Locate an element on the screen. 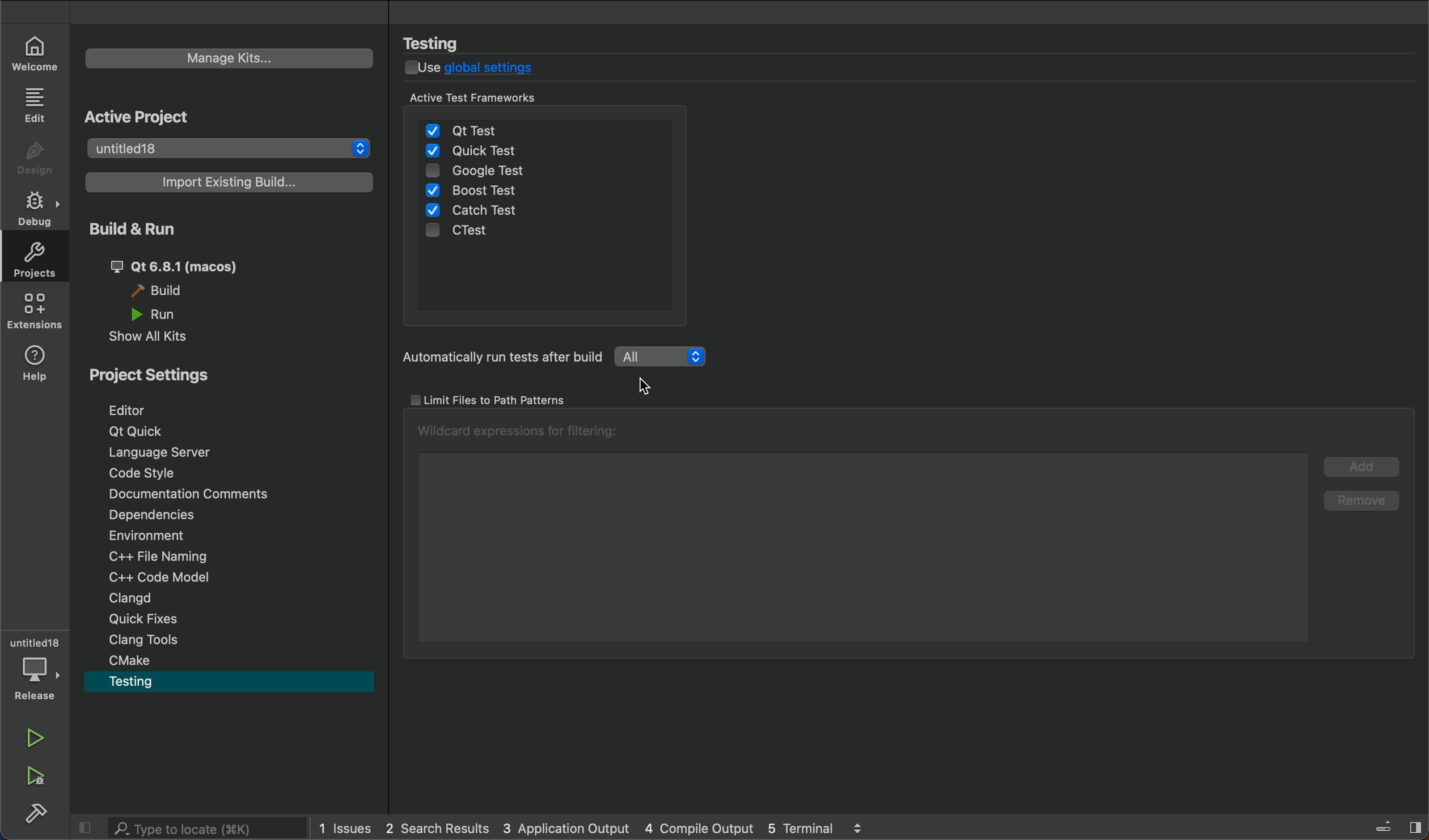 This screenshot has width=1429, height=840. close sidebar is located at coordinates (1394, 827).